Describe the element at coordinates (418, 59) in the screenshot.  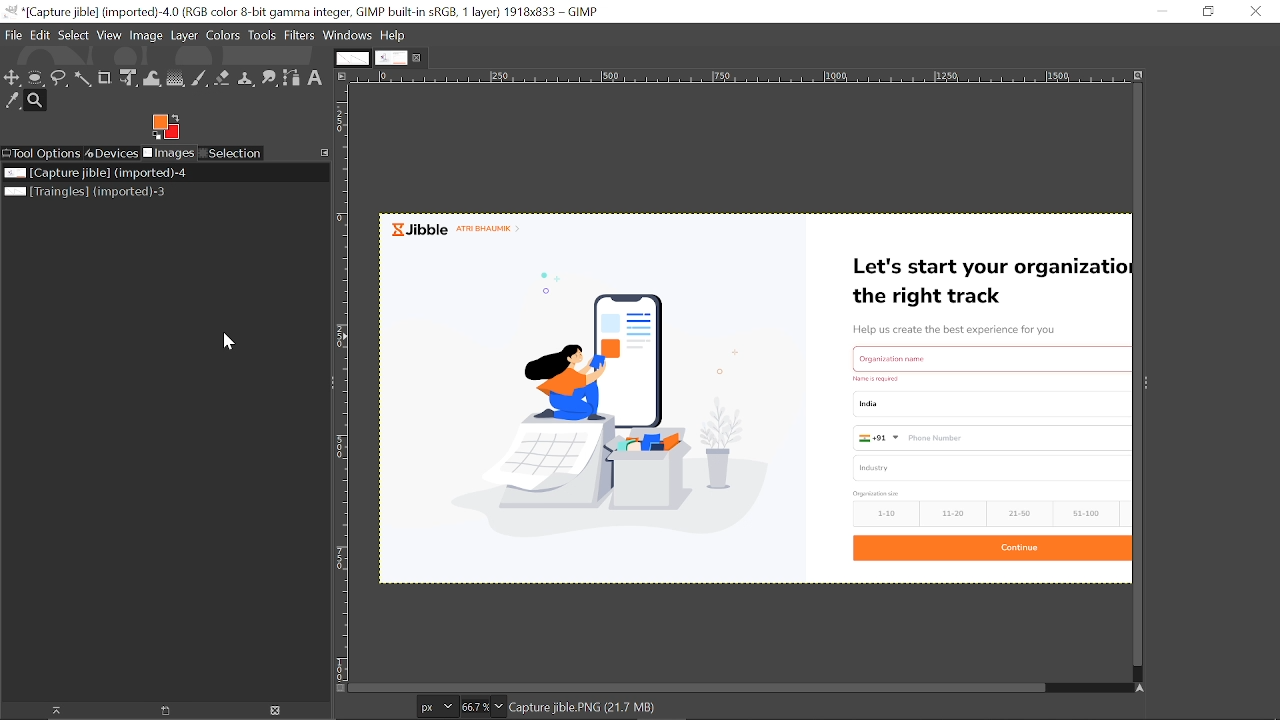
I see `Close` at that location.